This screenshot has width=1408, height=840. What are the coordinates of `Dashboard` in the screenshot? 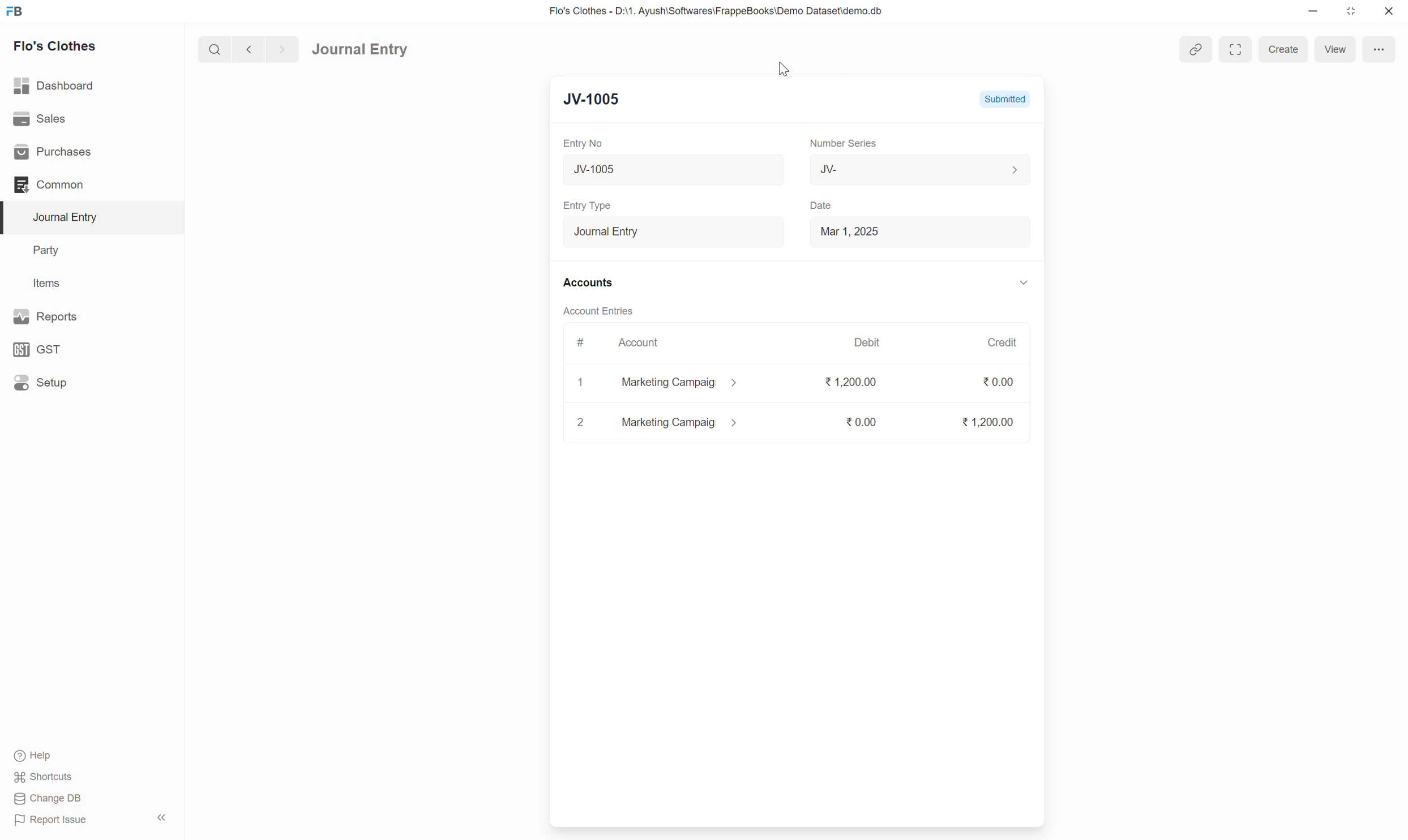 It's located at (55, 85).